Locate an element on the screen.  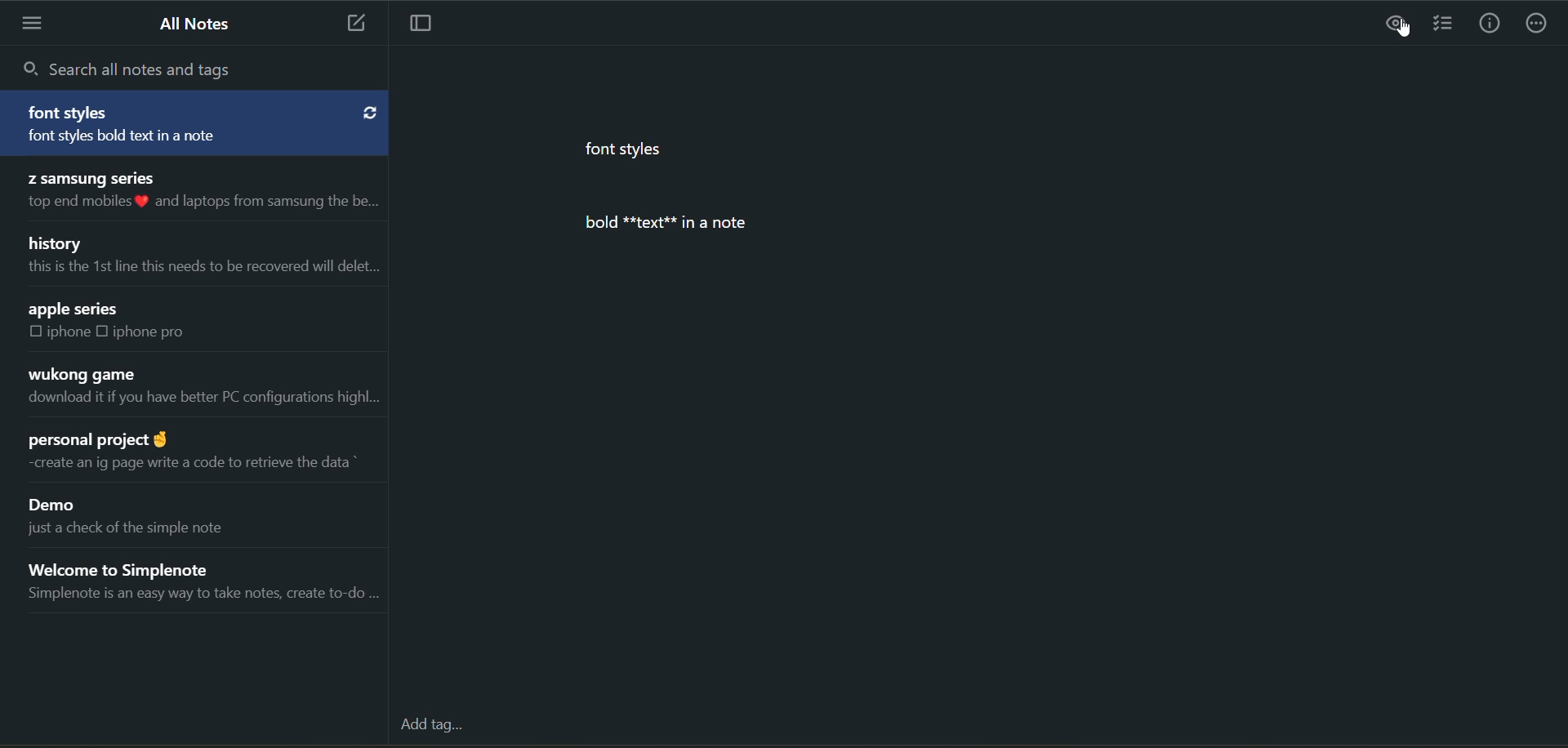
all notes is located at coordinates (198, 24).